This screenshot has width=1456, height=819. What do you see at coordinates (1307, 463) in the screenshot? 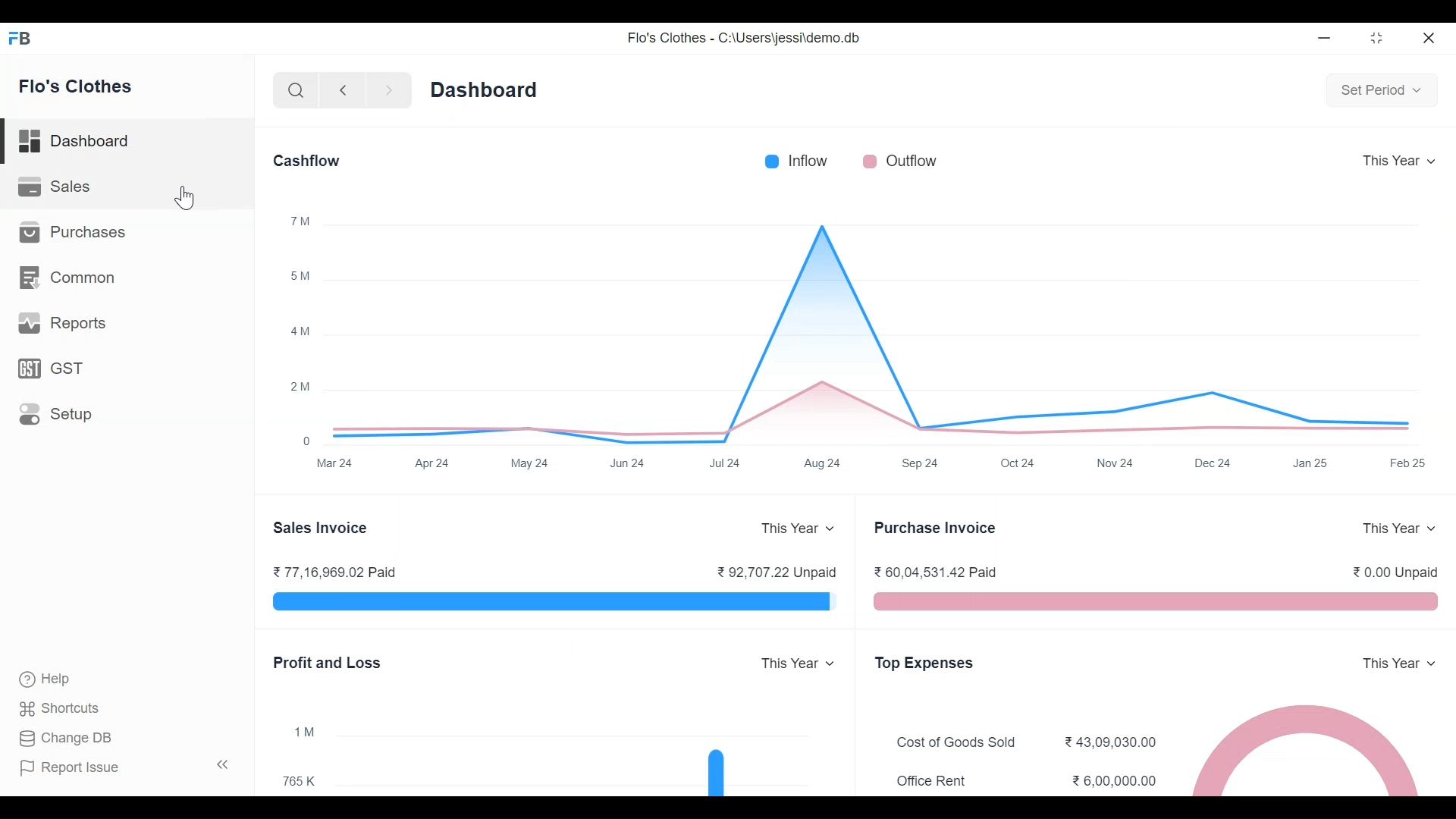
I see `Jan 25` at bounding box center [1307, 463].